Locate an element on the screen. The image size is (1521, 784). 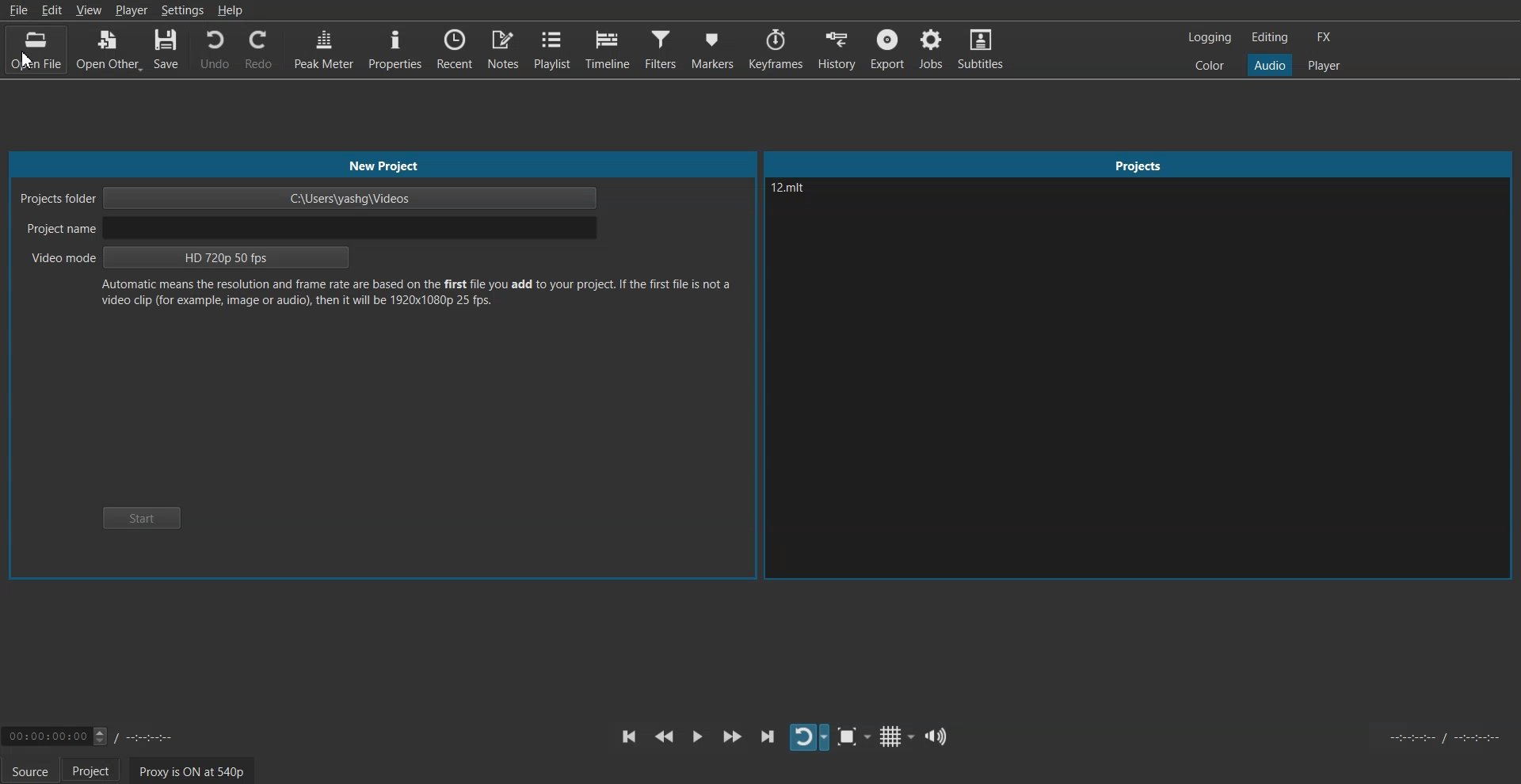
Filters is located at coordinates (661, 49).